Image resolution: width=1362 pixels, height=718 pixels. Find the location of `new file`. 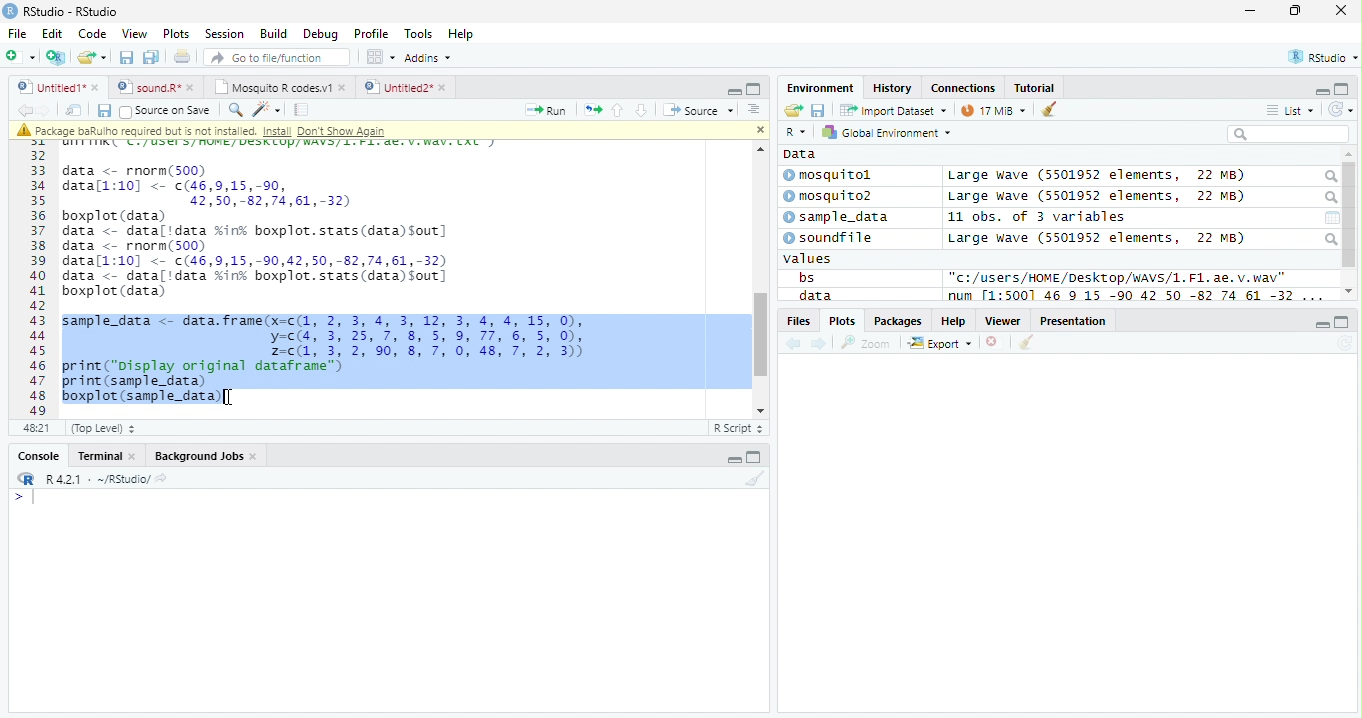

new file is located at coordinates (21, 57).